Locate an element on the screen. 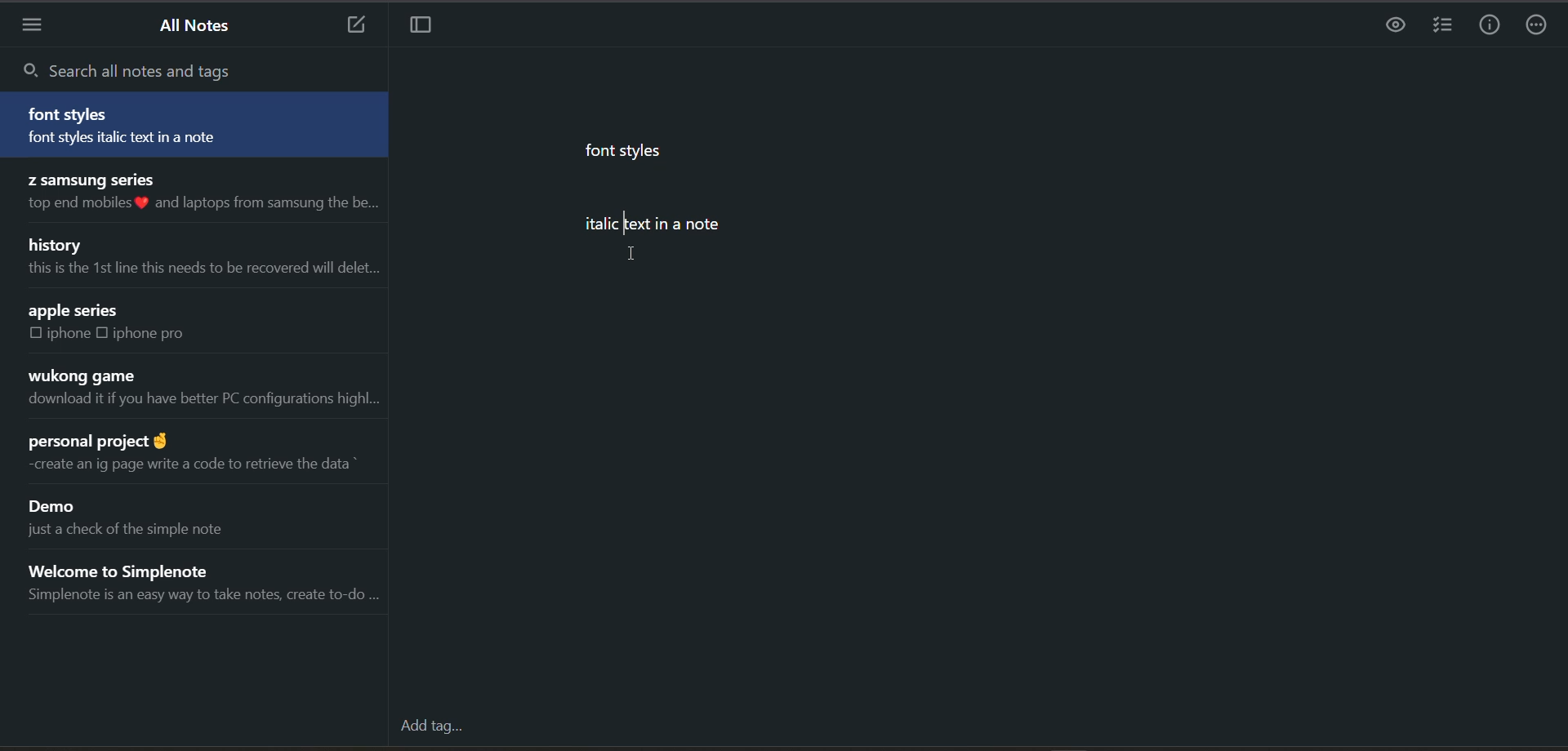 Image resolution: width=1568 pixels, height=751 pixels. note title and preview is located at coordinates (199, 389).